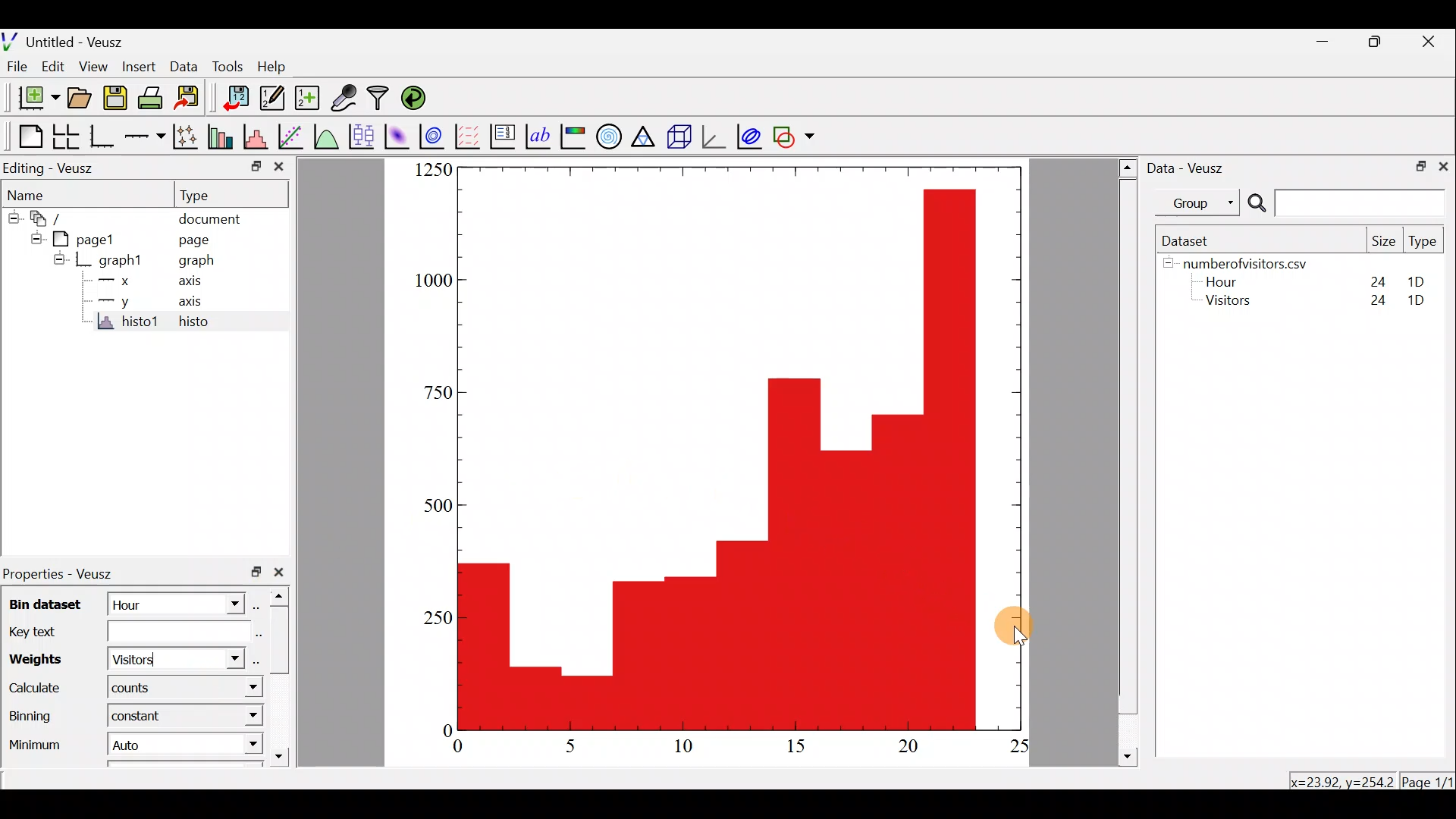  Describe the element at coordinates (183, 65) in the screenshot. I see `Data` at that location.